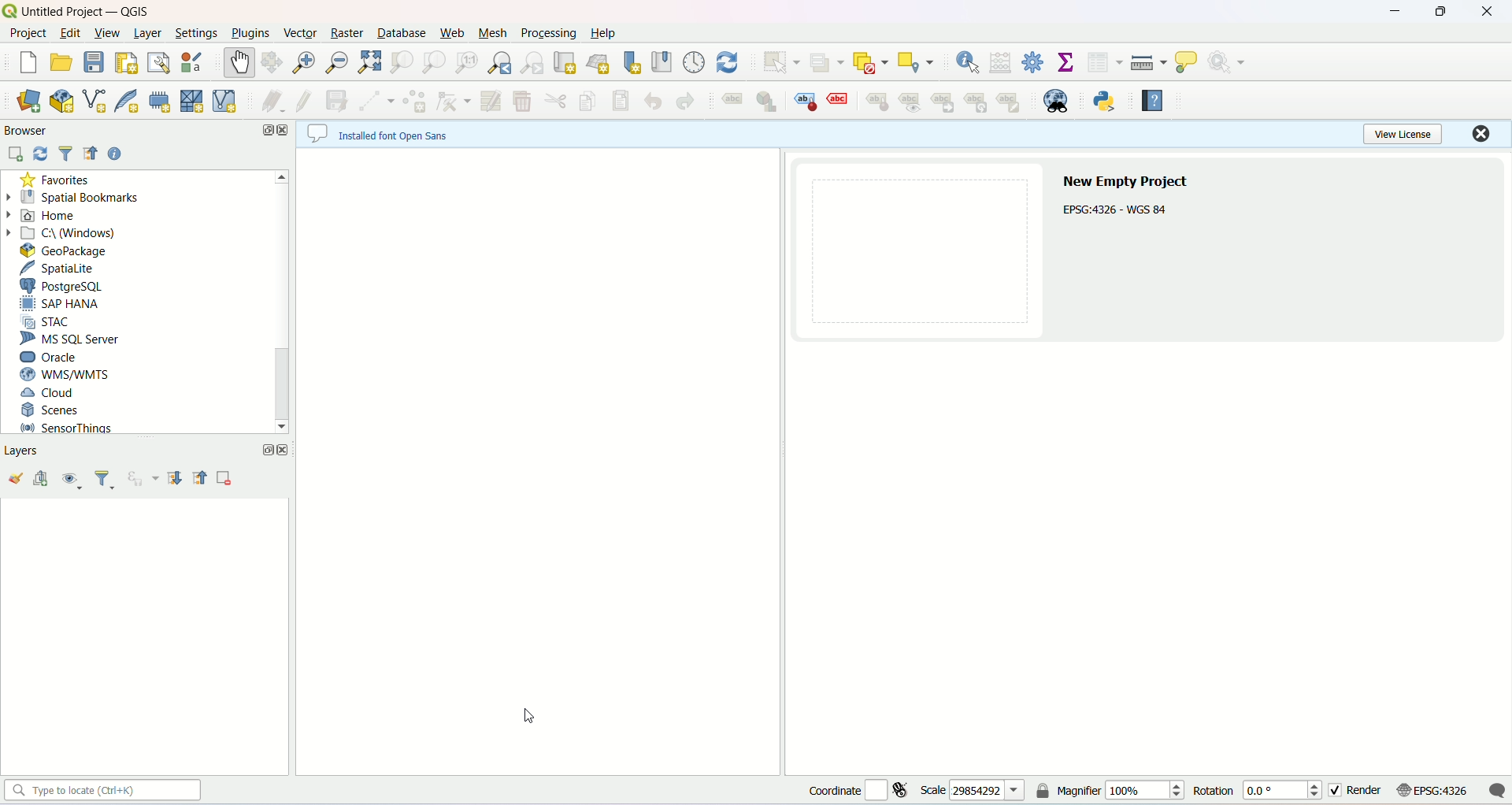  What do you see at coordinates (558, 102) in the screenshot?
I see `cut` at bounding box center [558, 102].